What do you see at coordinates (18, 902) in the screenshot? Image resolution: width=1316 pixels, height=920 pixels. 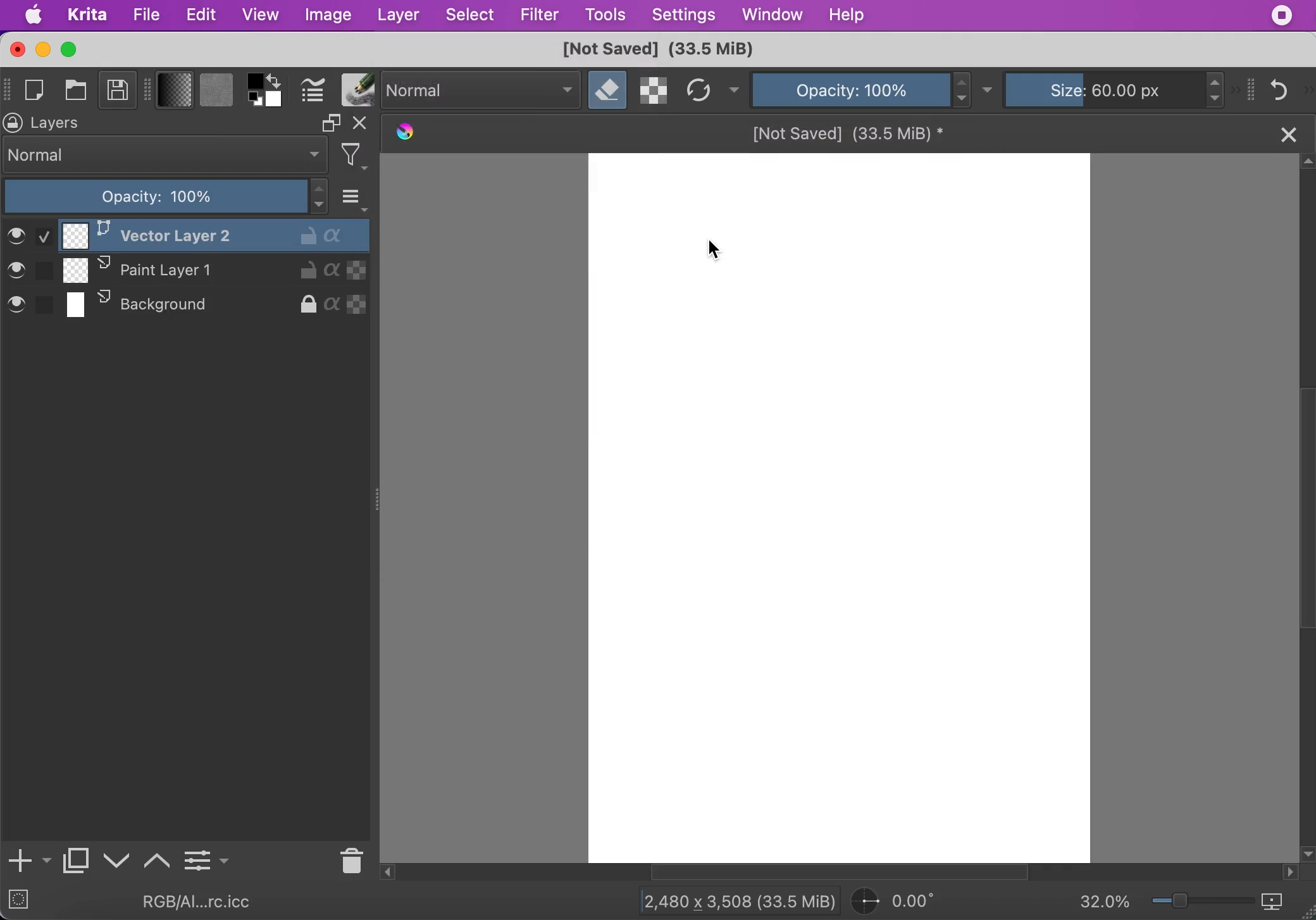 I see `no selection` at bounding box center [18, 902].